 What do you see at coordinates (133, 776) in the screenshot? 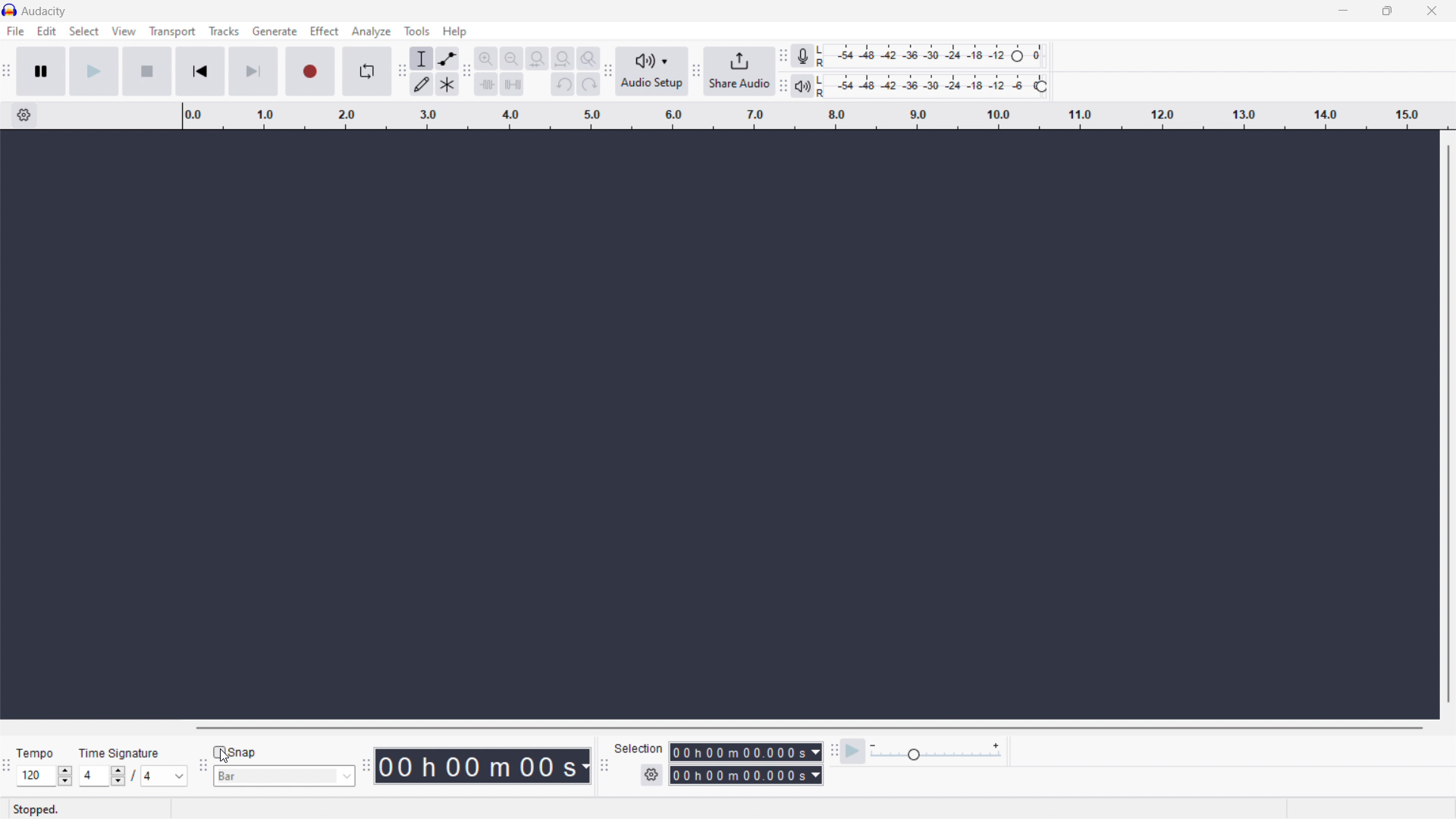
I see `time signature` at bounding box center [133, 776].